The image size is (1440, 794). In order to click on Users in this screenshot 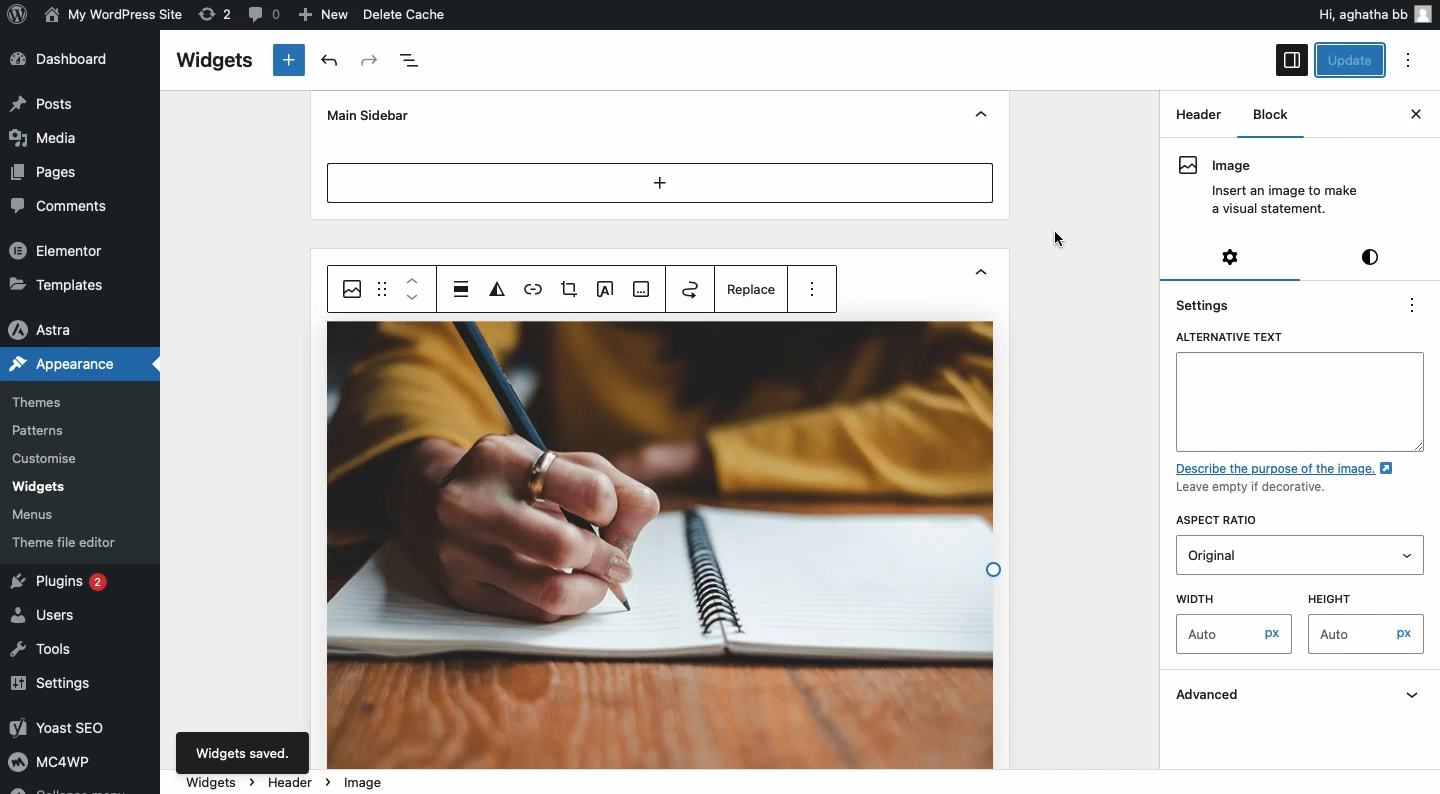, I will do `click(48, 613)`.